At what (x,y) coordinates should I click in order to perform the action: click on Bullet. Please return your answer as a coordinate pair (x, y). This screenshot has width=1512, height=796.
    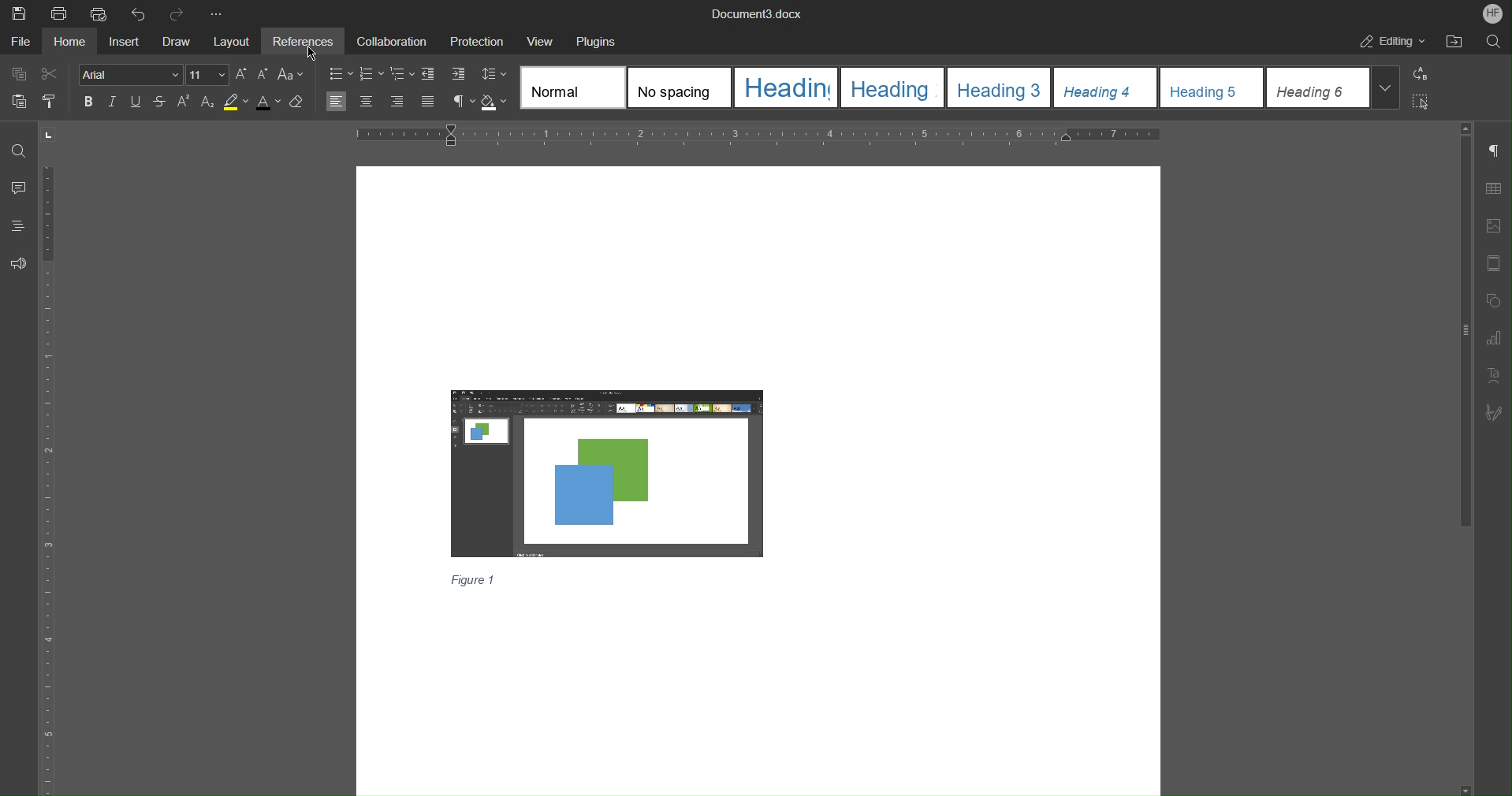
    Looking at the image, I should click on (335, 74).